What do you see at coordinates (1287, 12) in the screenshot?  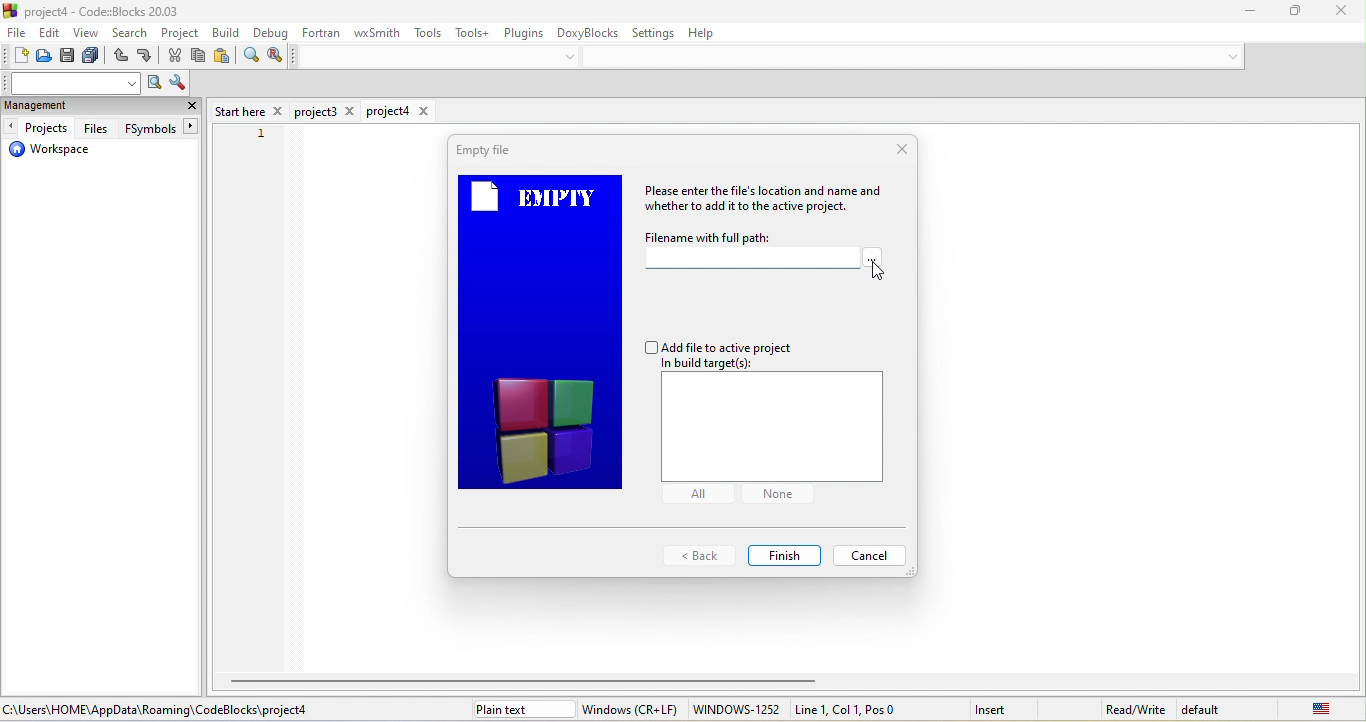 I see `Minimize/Maximize` at bounding box center [1287, 12].